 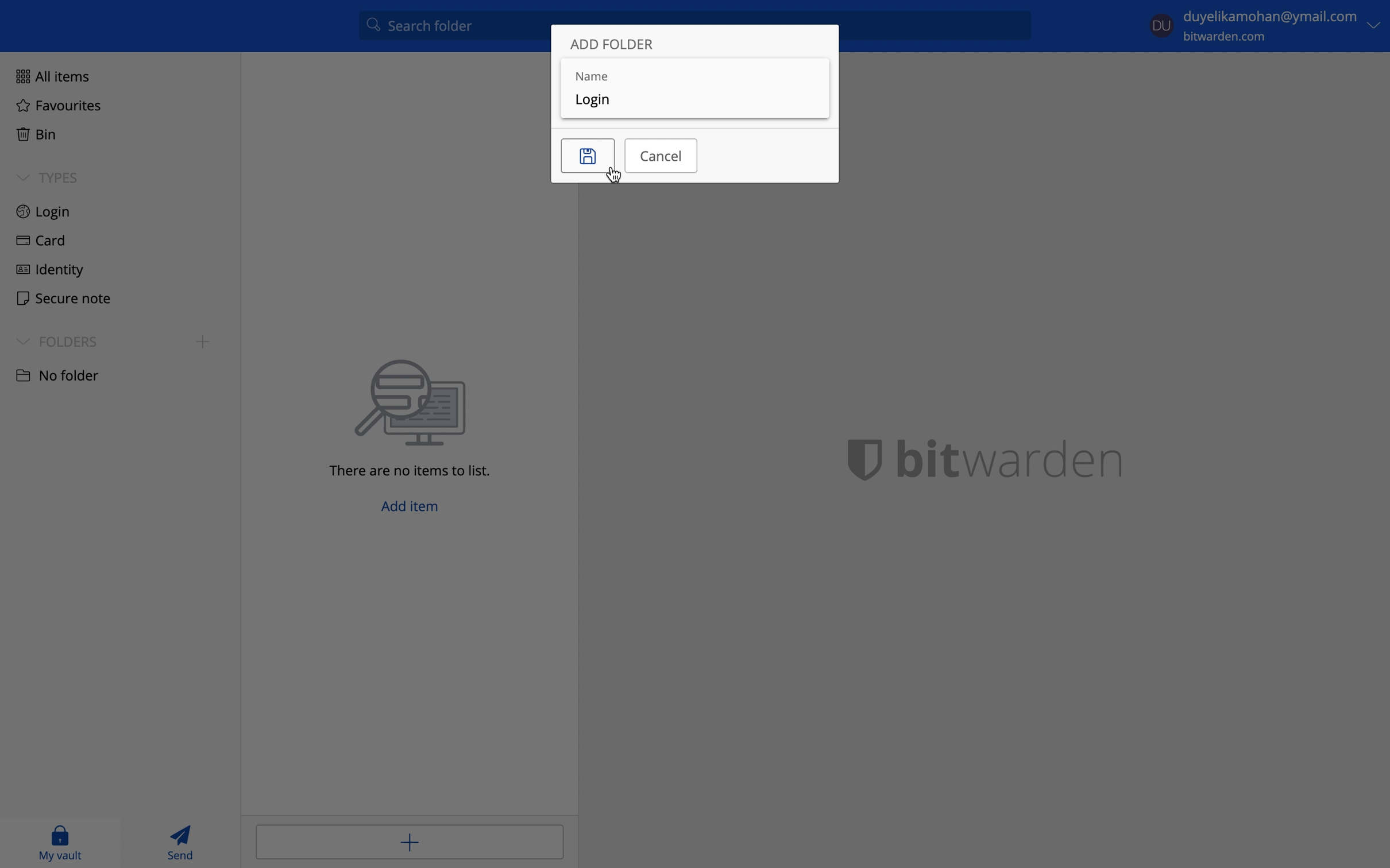 I want to click on add folder, so click(x=614, y=45).